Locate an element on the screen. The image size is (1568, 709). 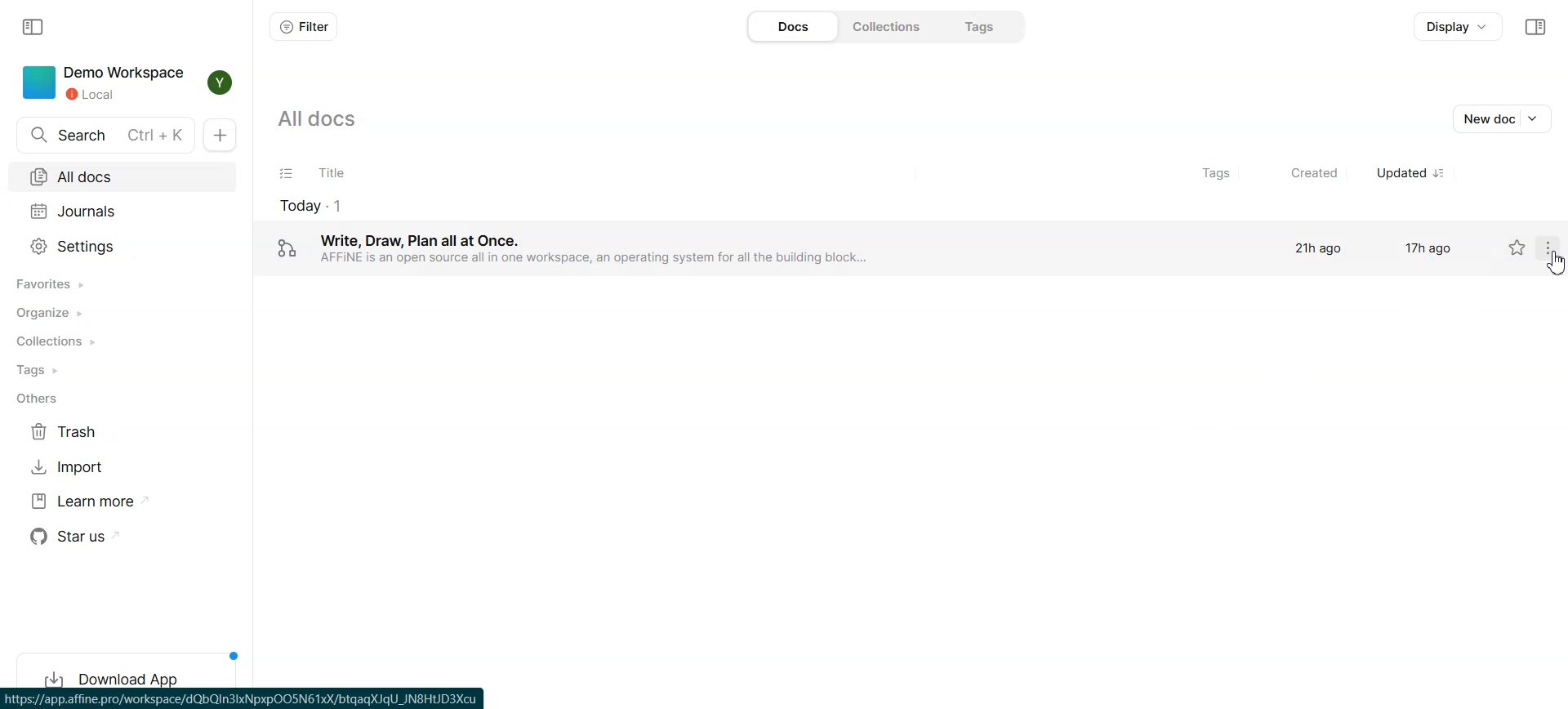
Filter is located at coordinates (305, 26).